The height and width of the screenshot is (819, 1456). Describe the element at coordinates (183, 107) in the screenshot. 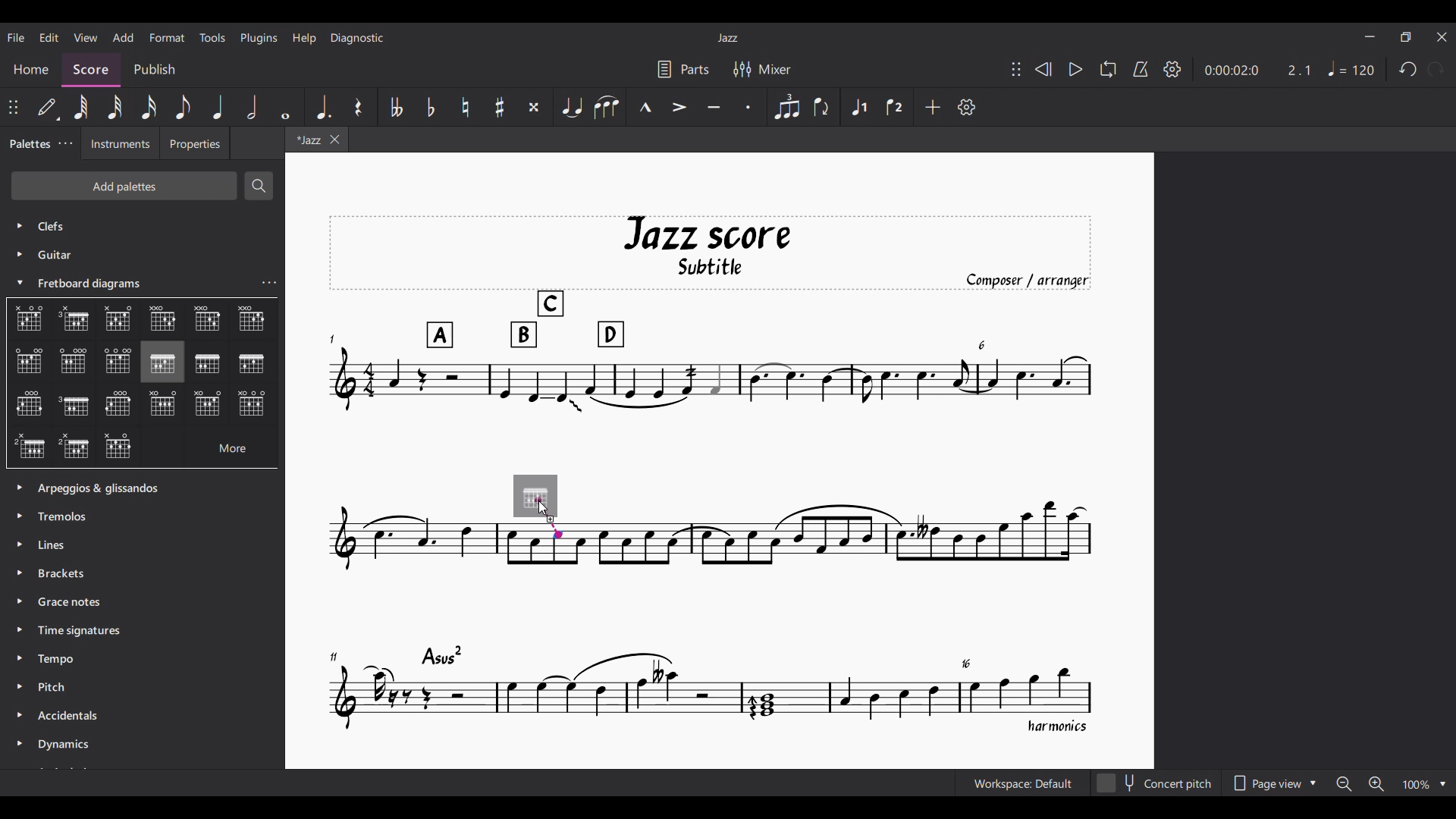

I see `8th note` at that location.